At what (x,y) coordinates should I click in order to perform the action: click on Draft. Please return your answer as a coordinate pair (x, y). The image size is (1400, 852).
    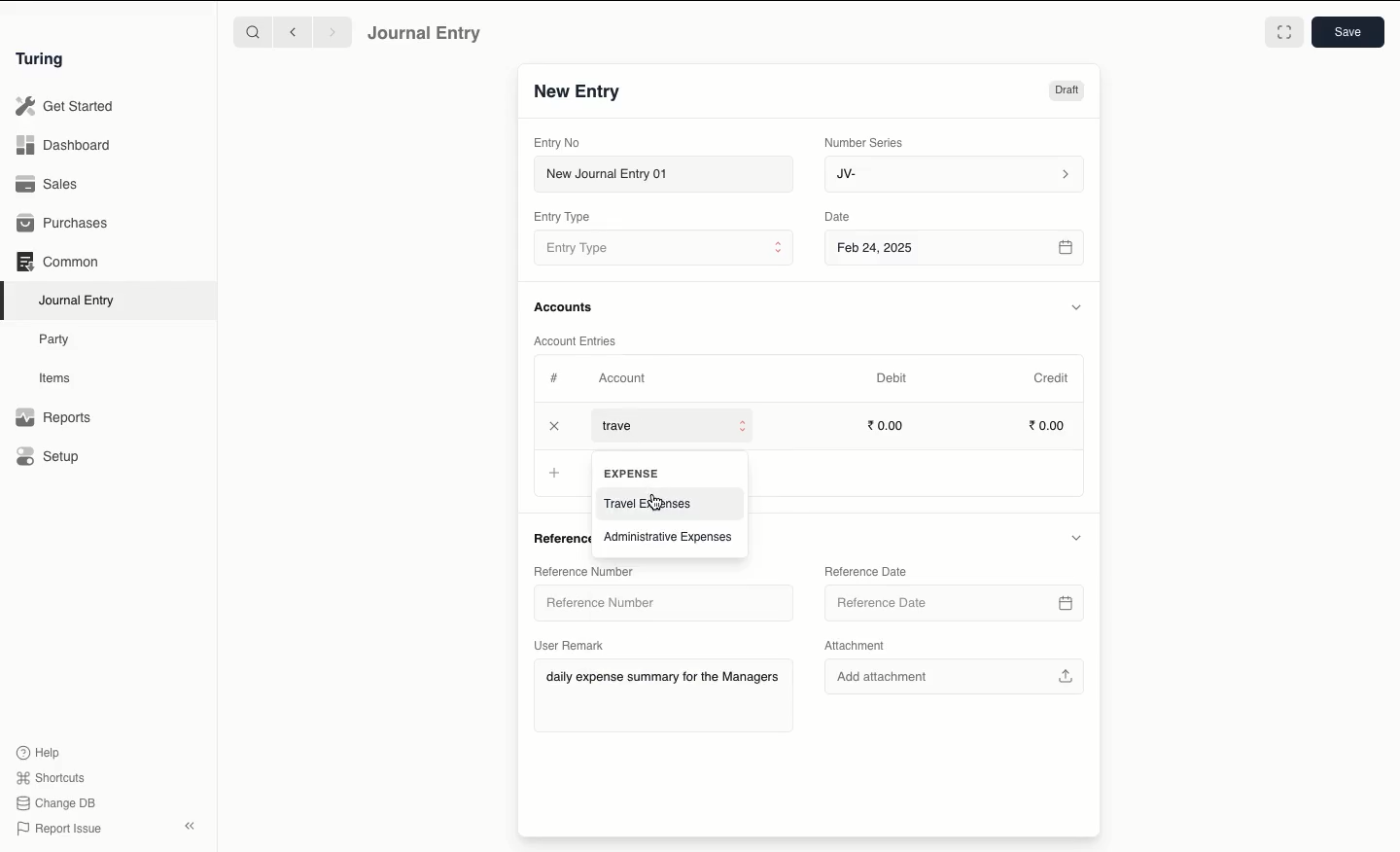
    Looking at the image, I should click on (1067, 90).